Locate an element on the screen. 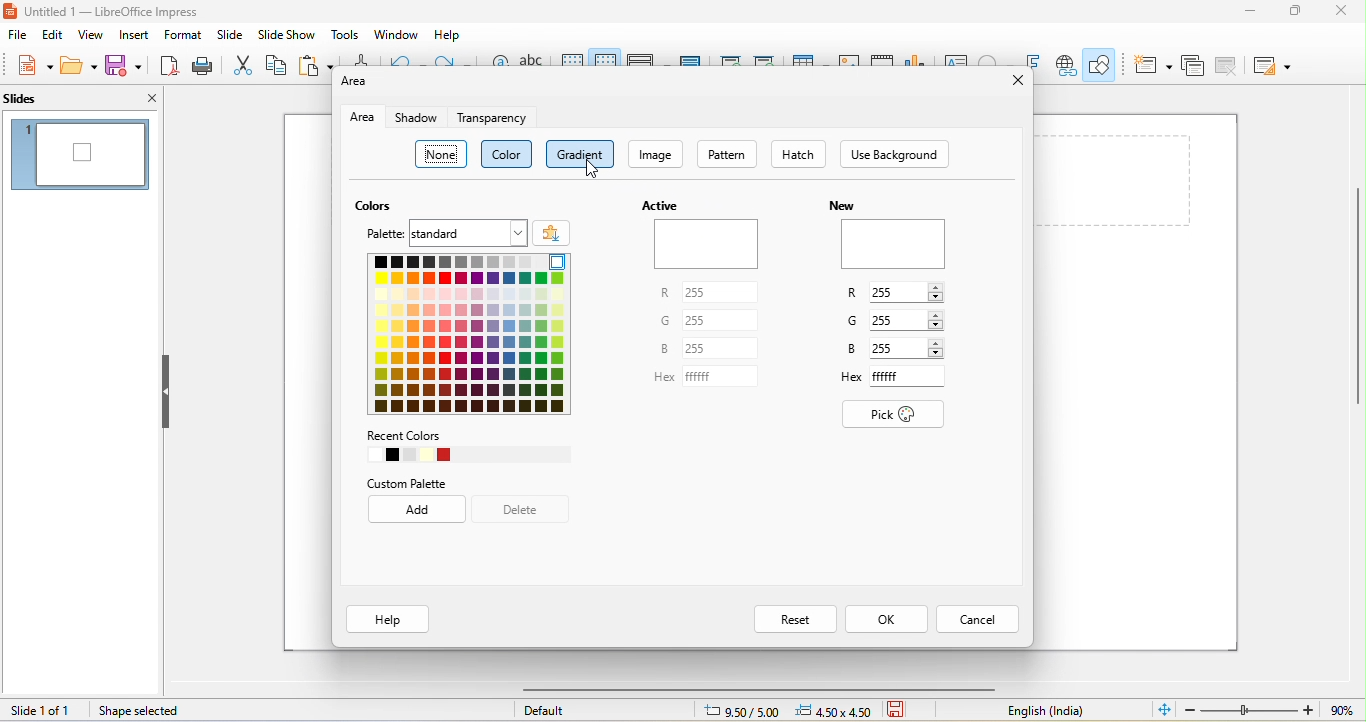 The width and height of the screenshot is (1366, 722). insert hyperlink is located at coordinates (1064, 66).